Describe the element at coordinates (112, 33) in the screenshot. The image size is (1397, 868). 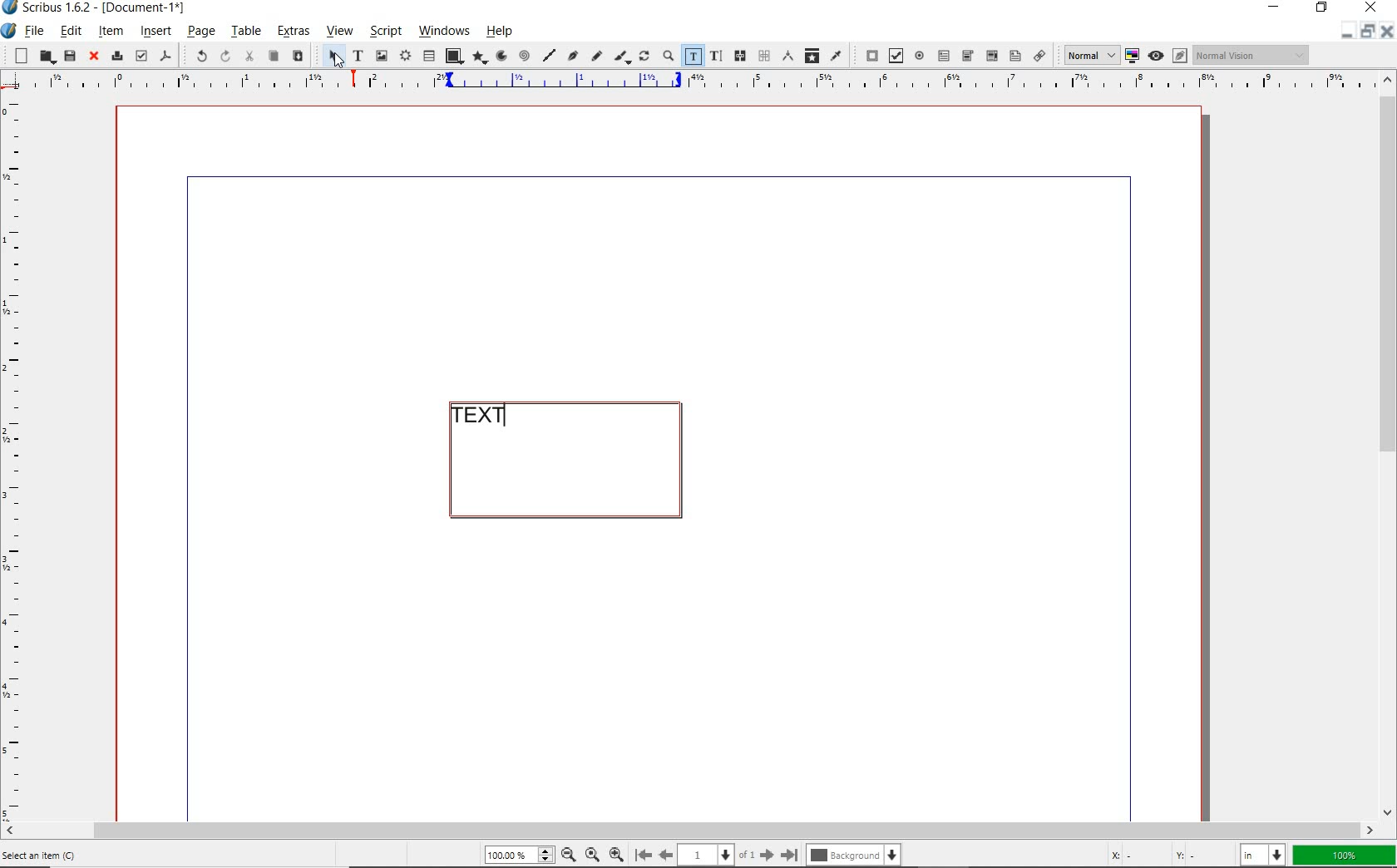
I see `item` at that location.